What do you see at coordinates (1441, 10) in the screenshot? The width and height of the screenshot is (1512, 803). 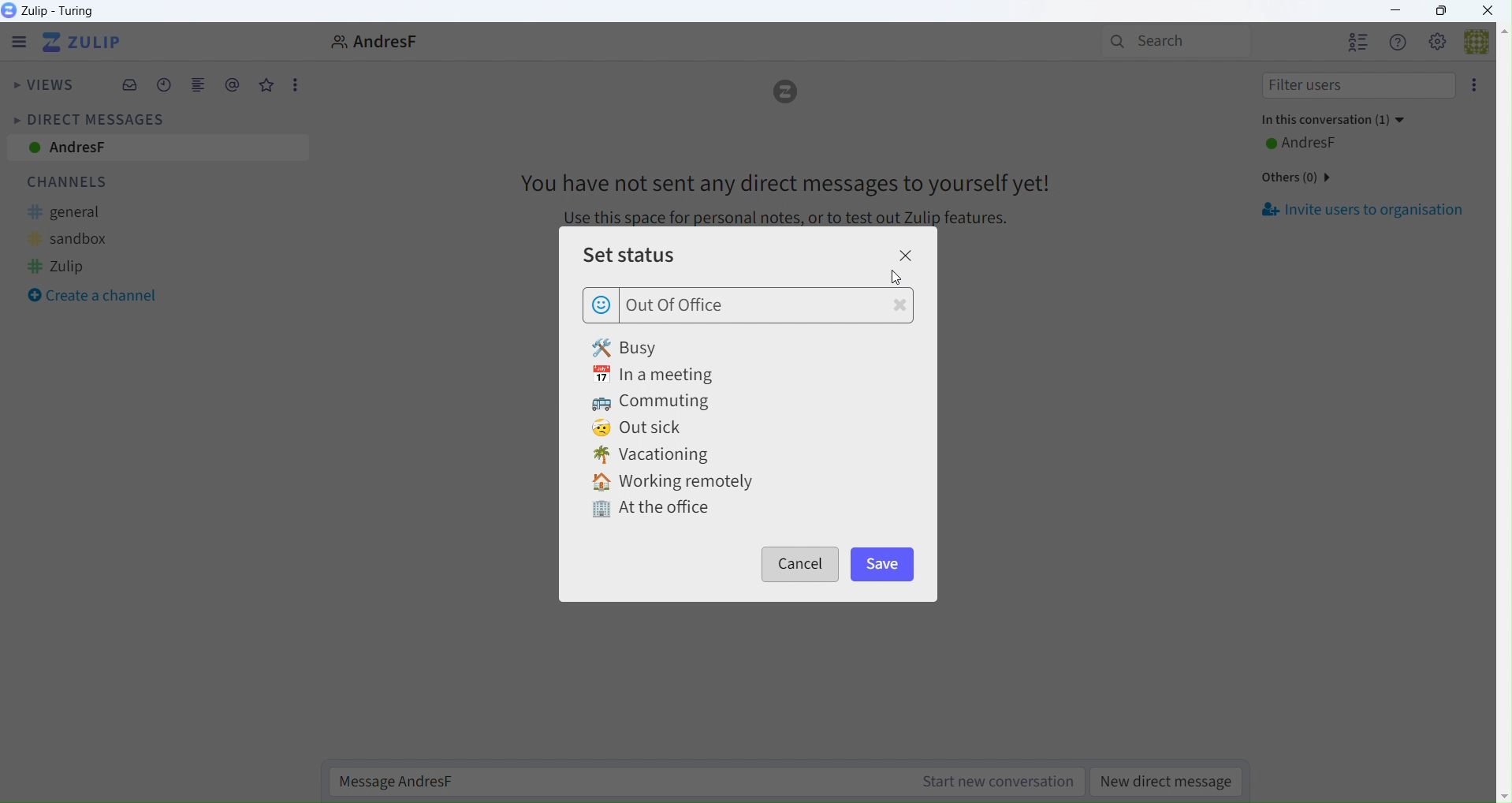 I see `Box` at bounding box center [1441, 10].